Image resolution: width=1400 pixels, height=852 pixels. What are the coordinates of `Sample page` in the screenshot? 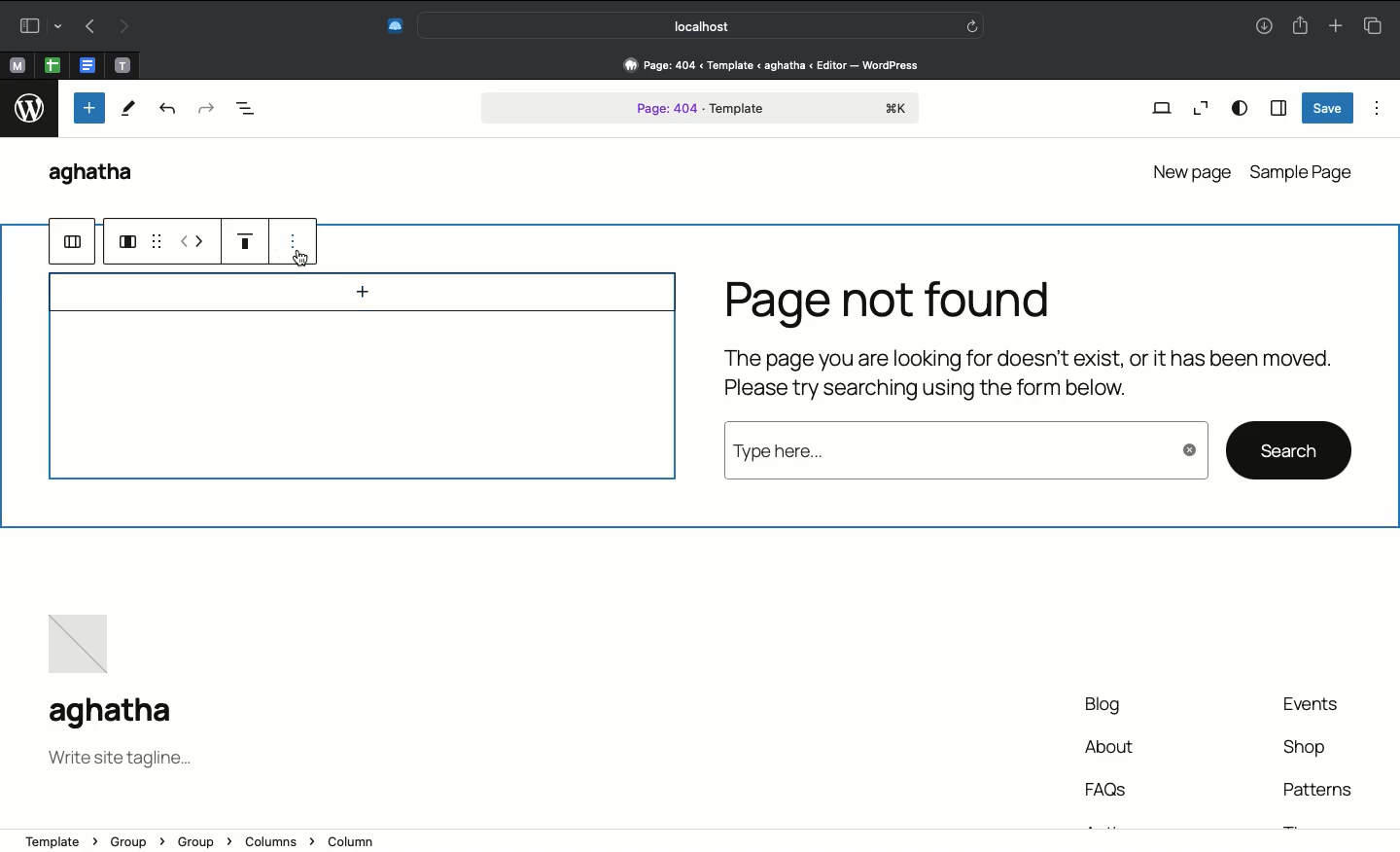 It's located at (1304, 172).